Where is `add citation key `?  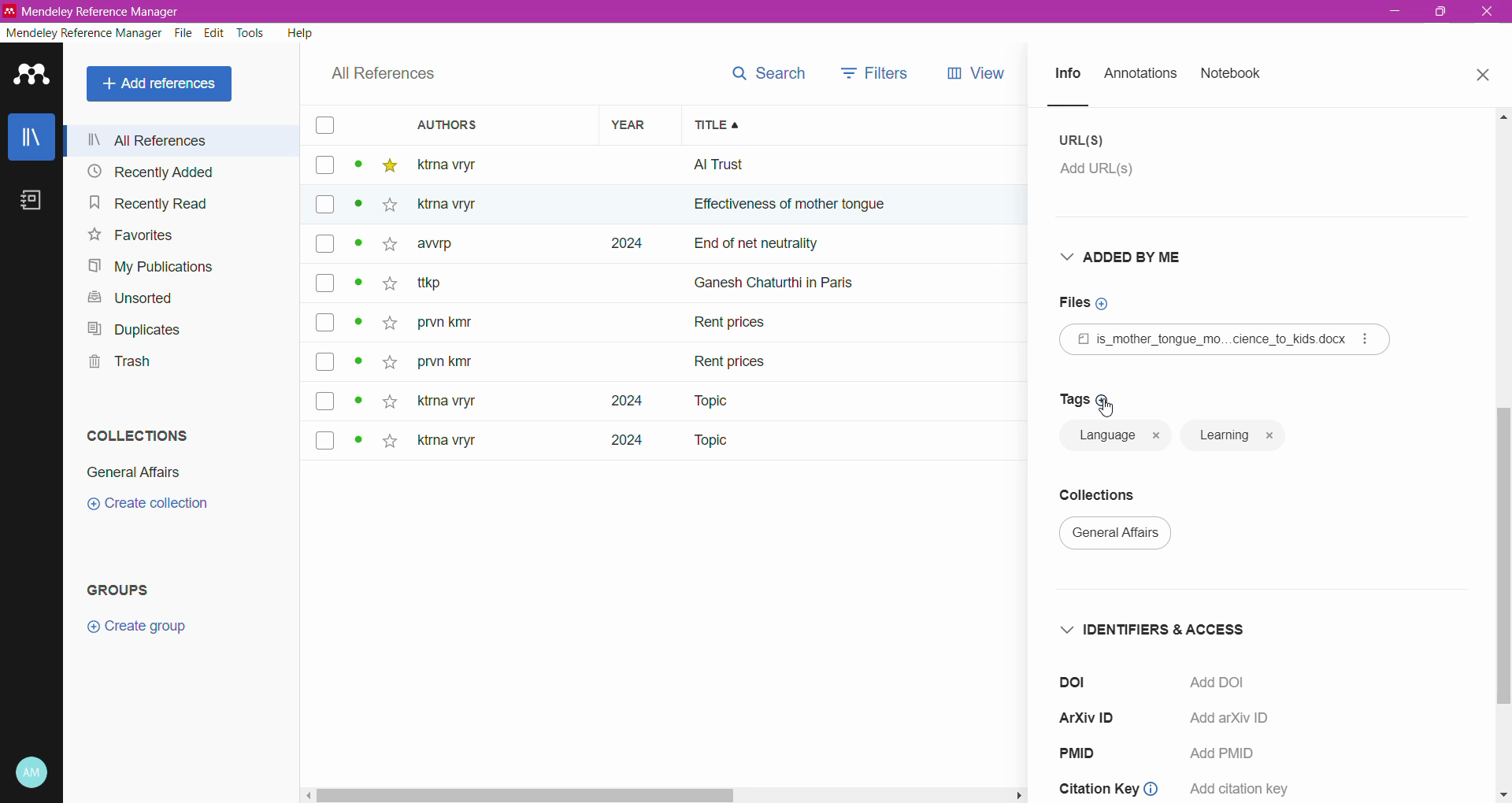 add citation key  is located at coordinates (1240, 788).